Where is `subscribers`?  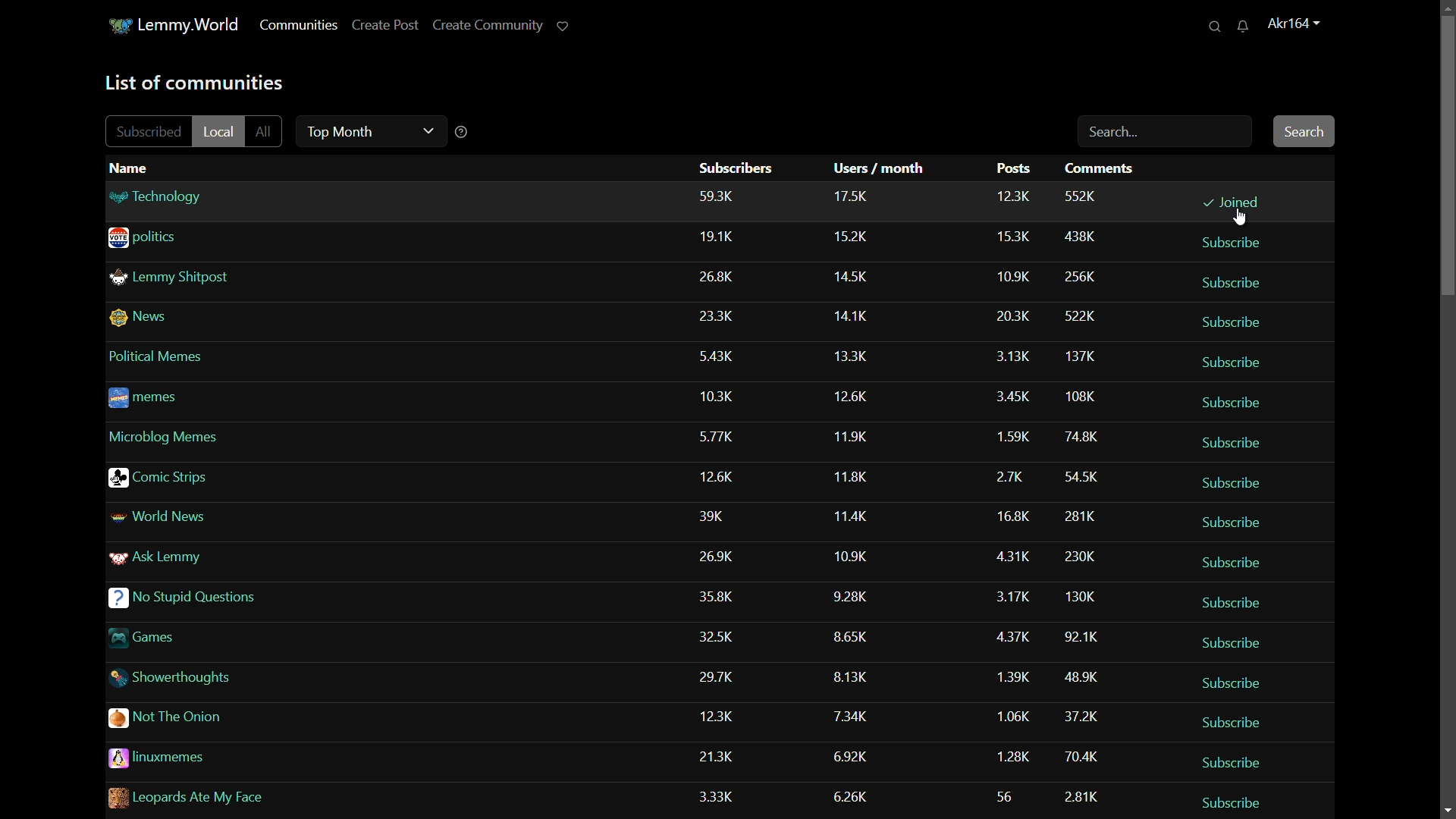 subscribers is located at coordinates (720, 478).